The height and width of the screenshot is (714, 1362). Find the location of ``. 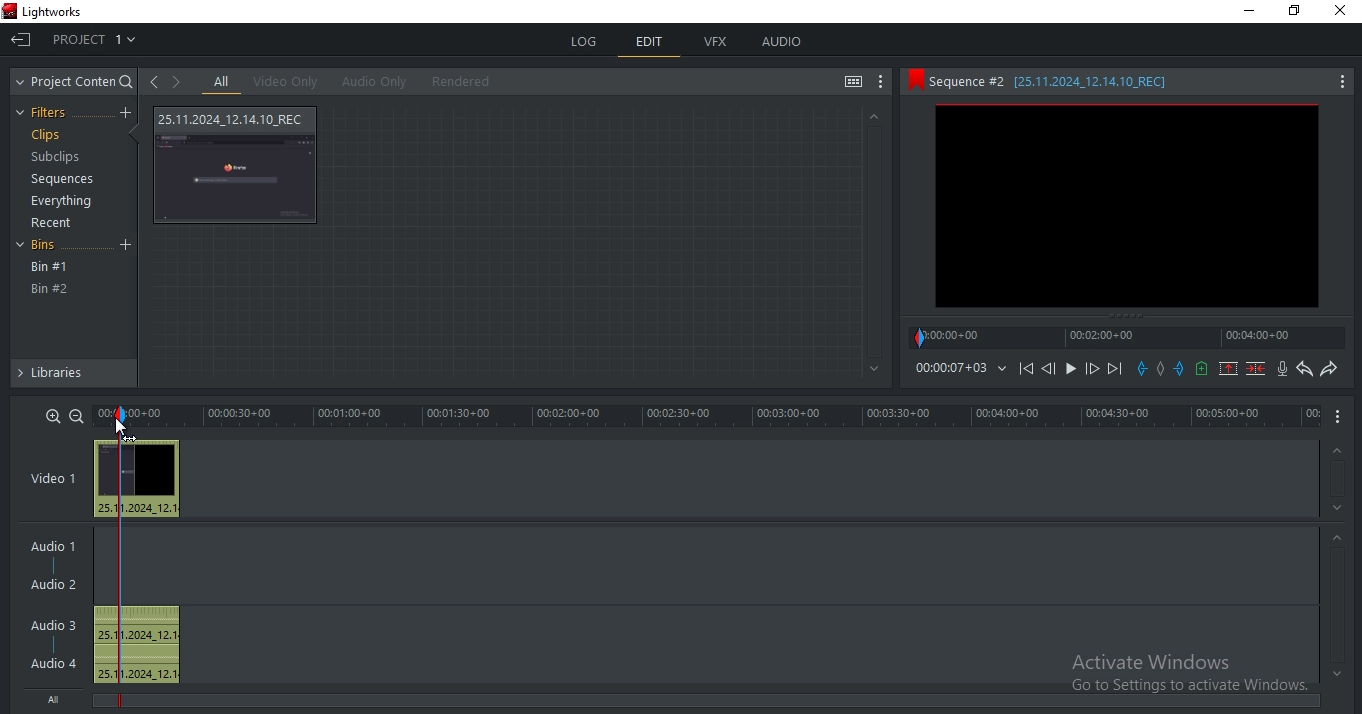

 is located at coordinates (855, 80).